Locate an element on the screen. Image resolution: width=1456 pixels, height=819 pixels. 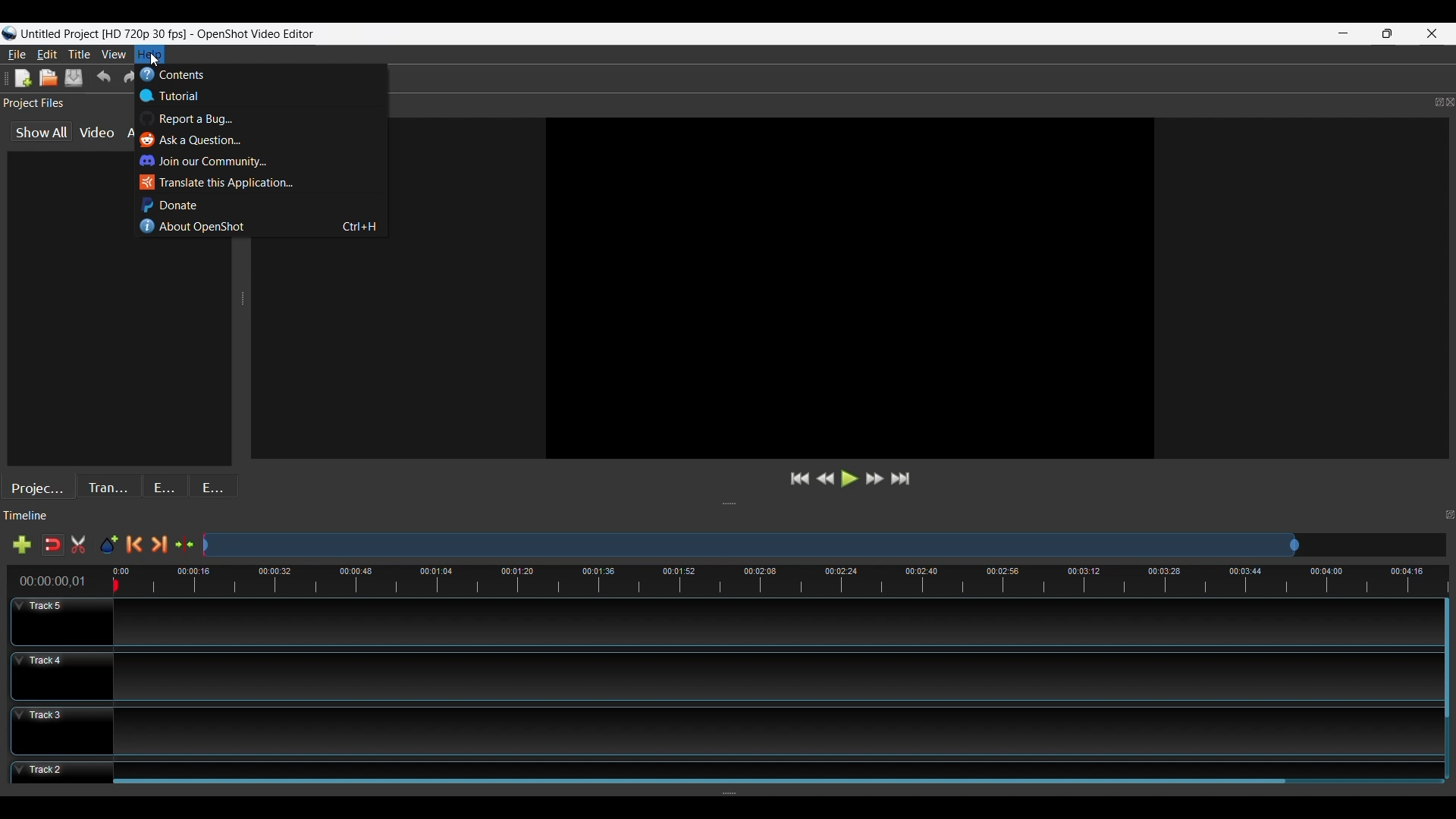
Translate the Application is located at coordinates (220, 183).